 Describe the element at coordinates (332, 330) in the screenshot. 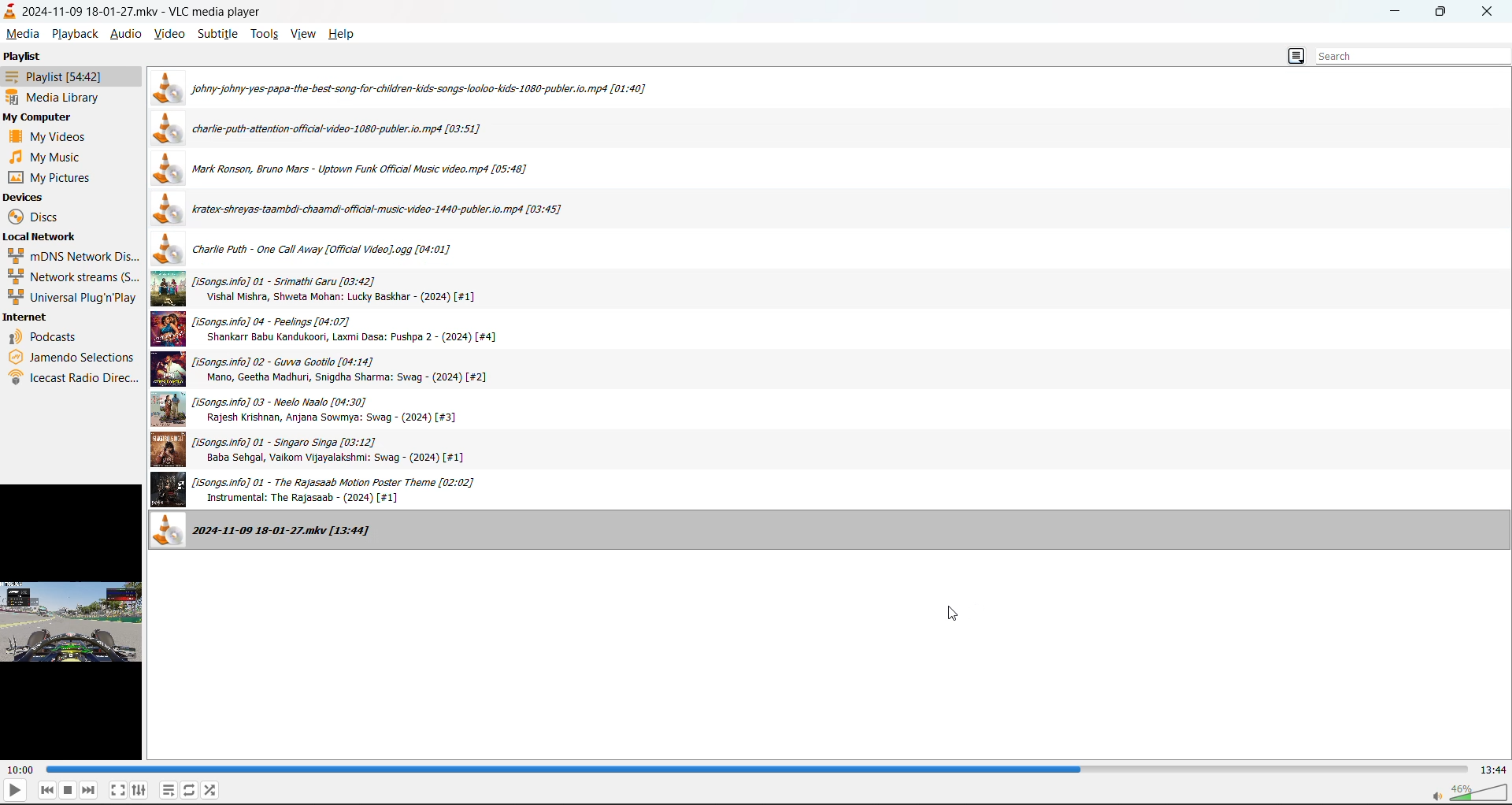

I see `tracks without duration` at that location.